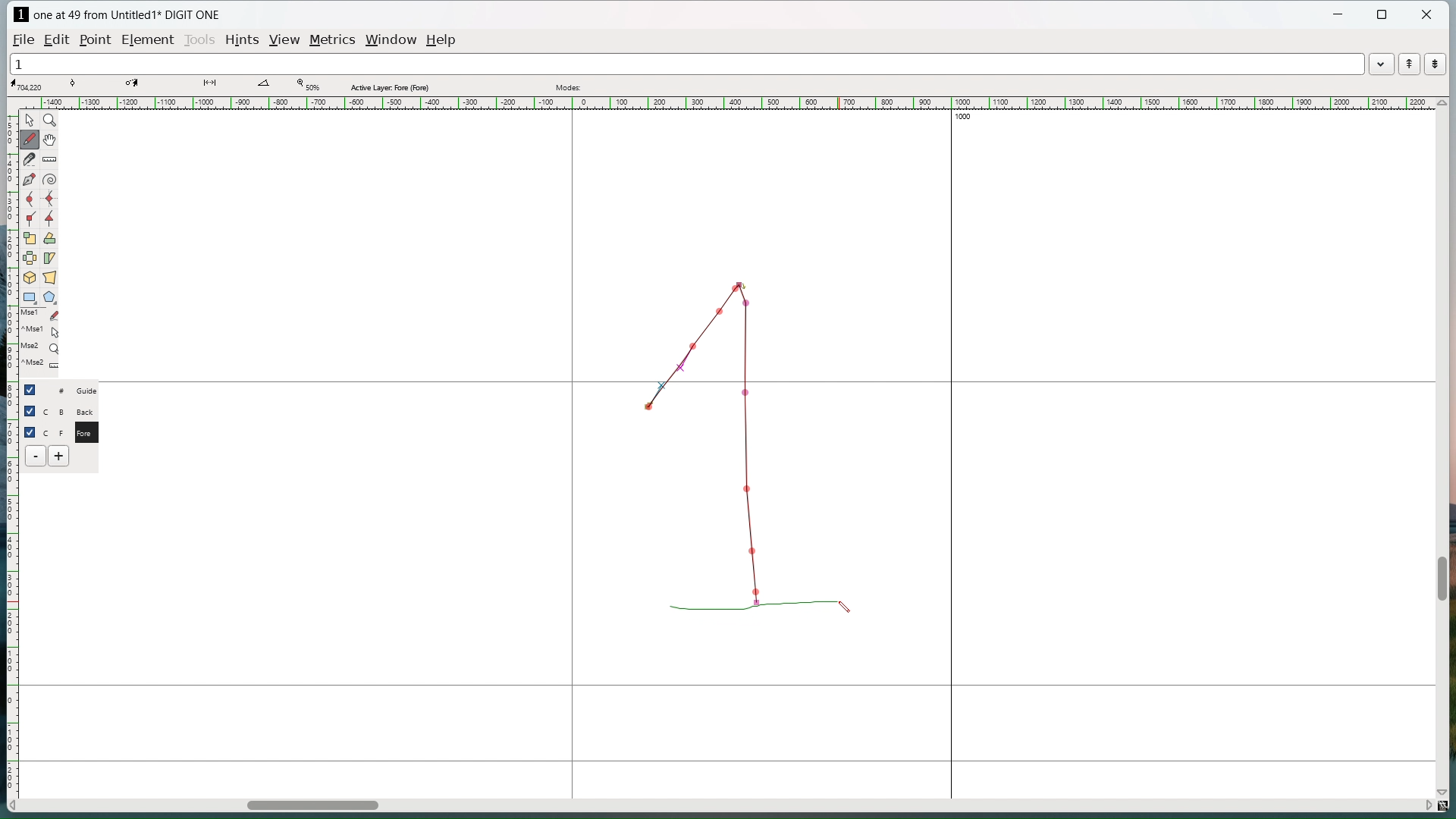 The width and height of the screenshot is (1456, 819). Describe the element at coordinates (1441, 103) in the screenshot. I see `scroll up` at that location.